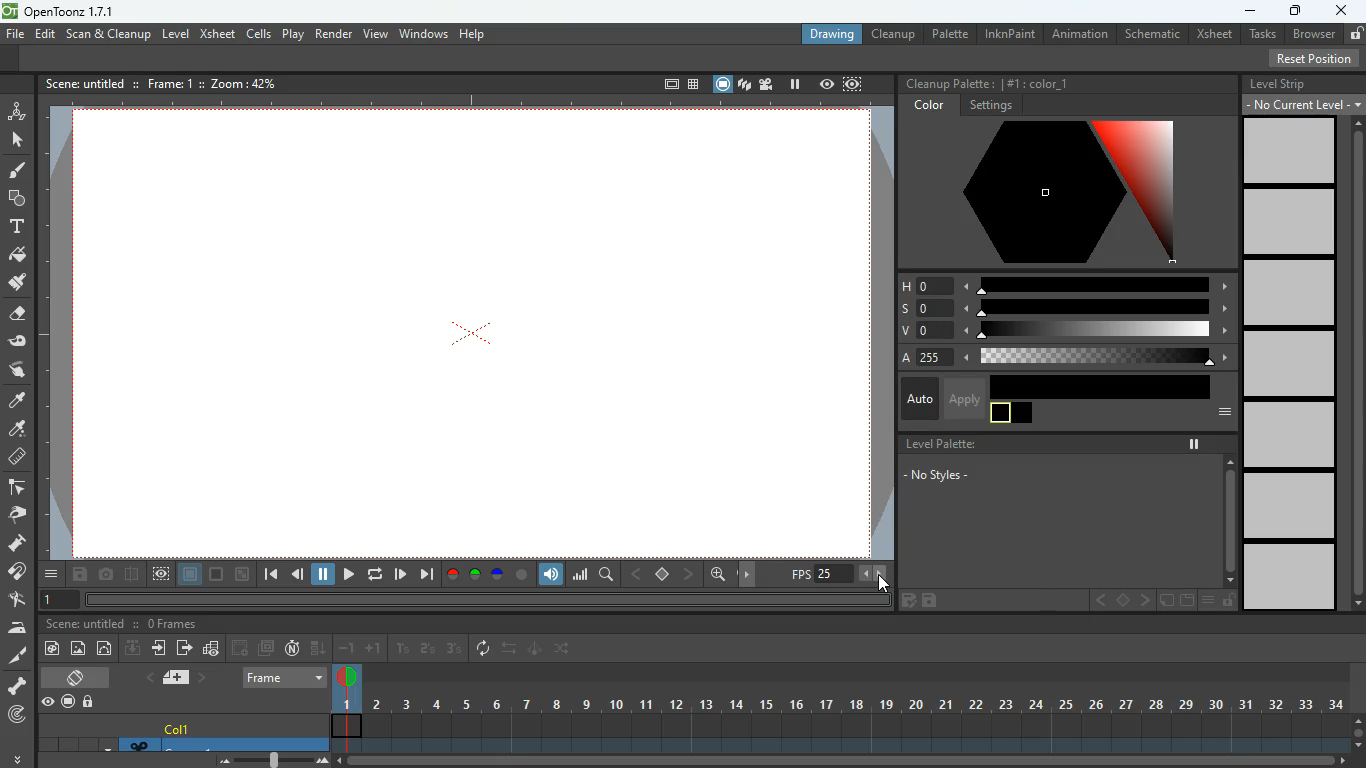  I want to click on opentoonz, so click(67, 12).